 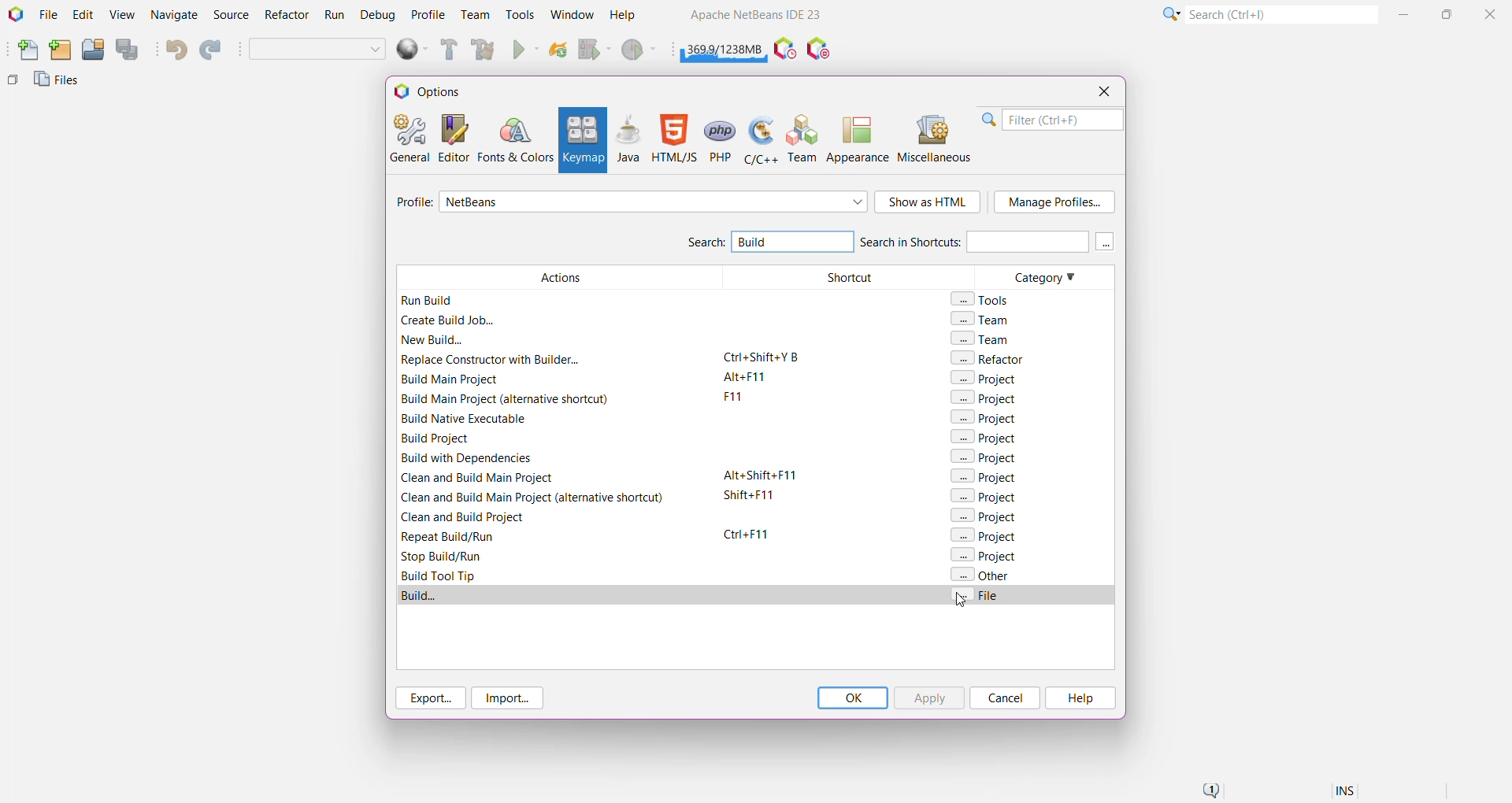 What do you see at coordinates (785, 50) in the screenshot?
I see `Pause IDE profiling and take a Snapshot` at bounding box center [785, 50].